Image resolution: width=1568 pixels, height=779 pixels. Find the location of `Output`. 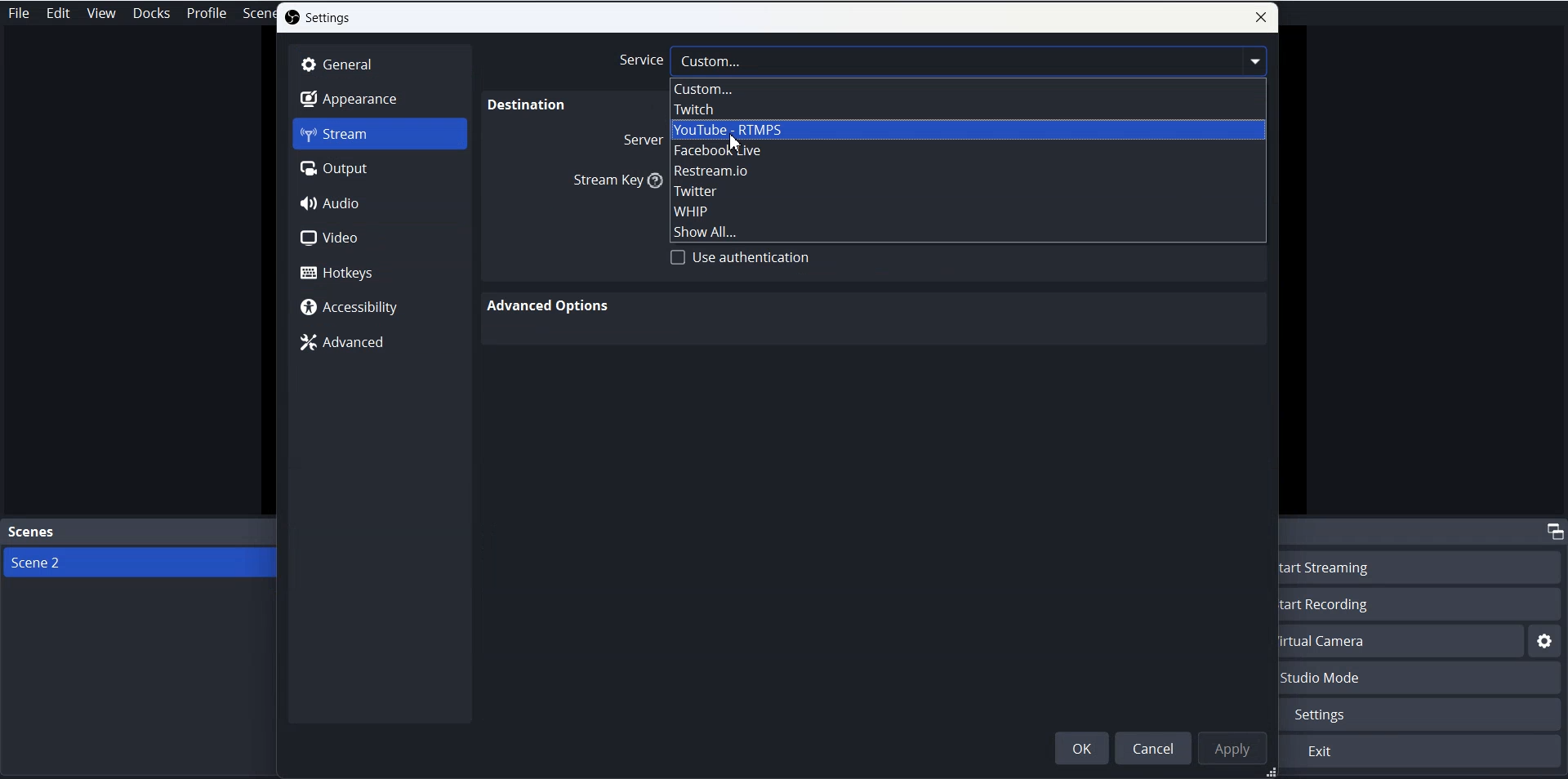

Output is located at coordinates (380, 168).